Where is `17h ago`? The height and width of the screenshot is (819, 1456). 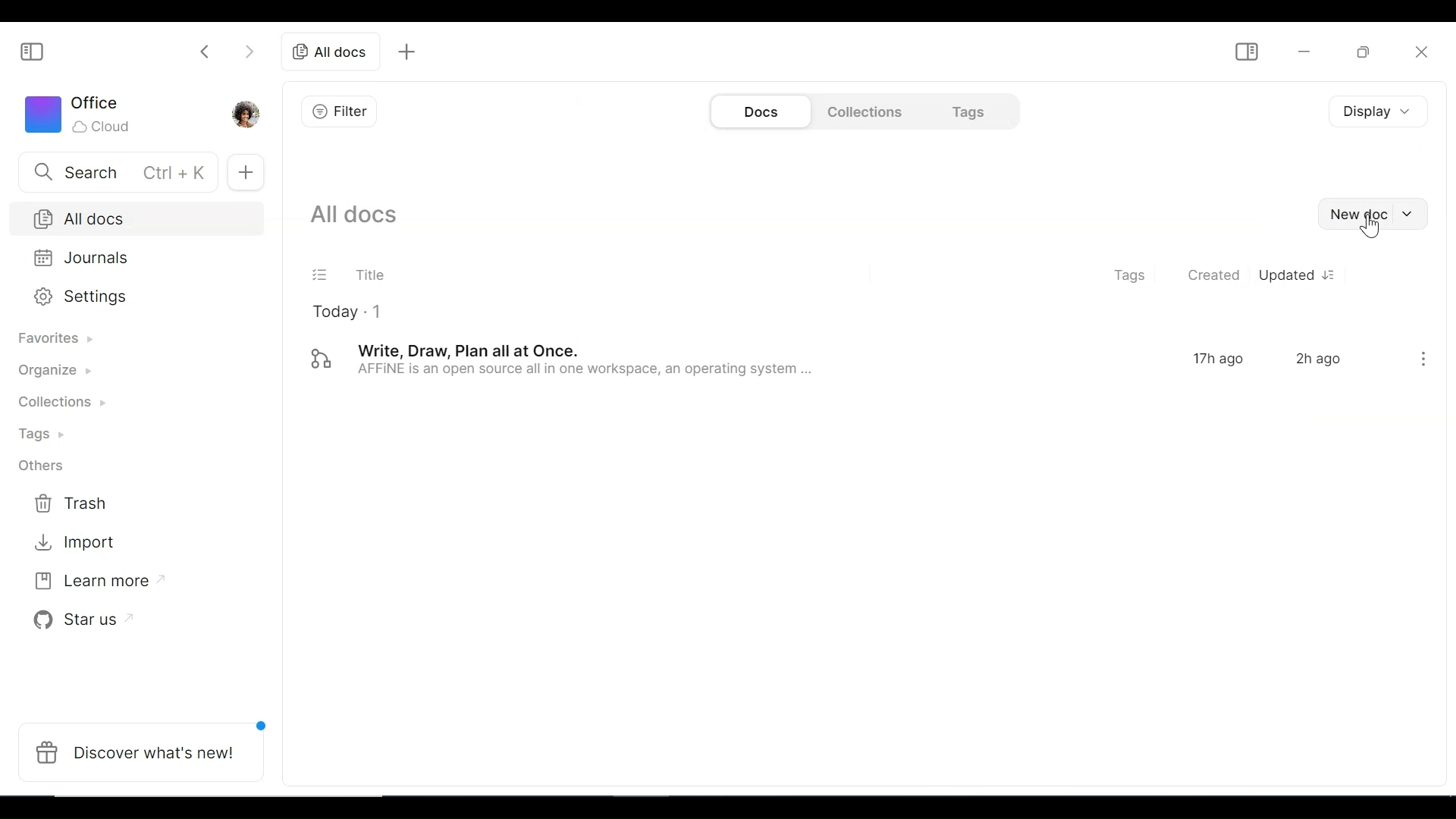
17h ago is located at coordinates (1222, 360).